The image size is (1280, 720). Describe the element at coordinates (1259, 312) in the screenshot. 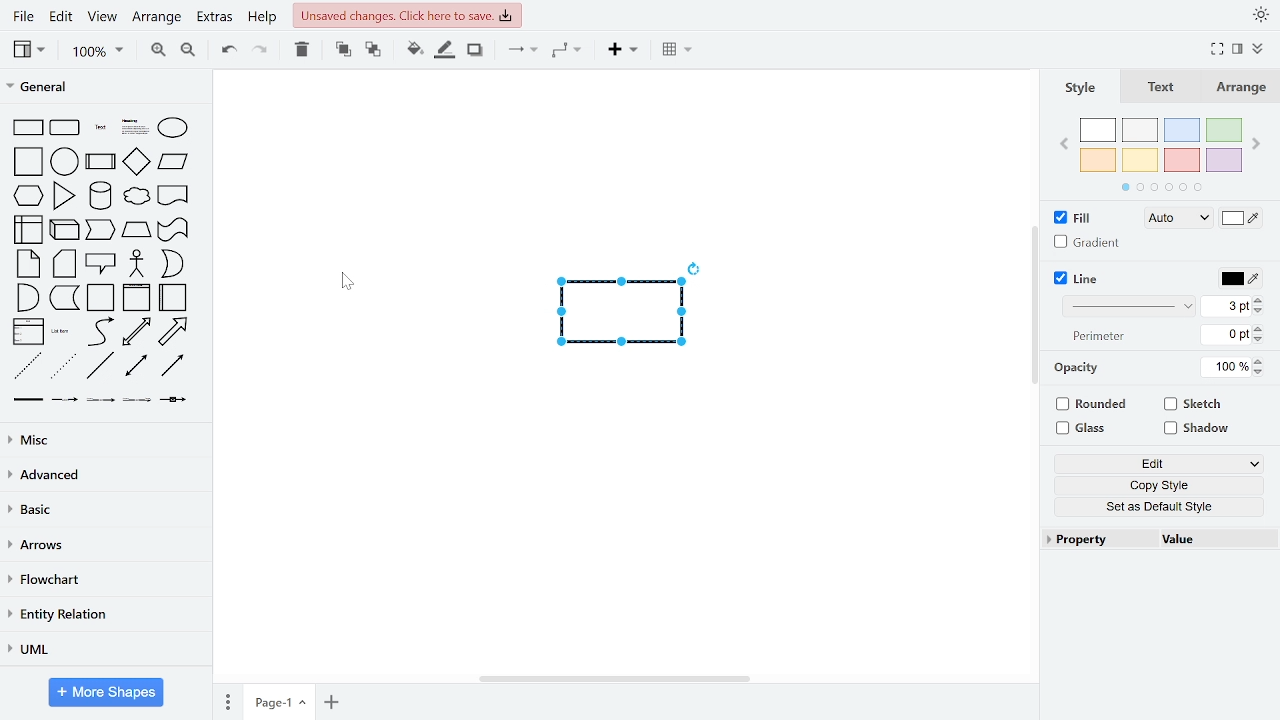

I see `decrease line width` at that location.